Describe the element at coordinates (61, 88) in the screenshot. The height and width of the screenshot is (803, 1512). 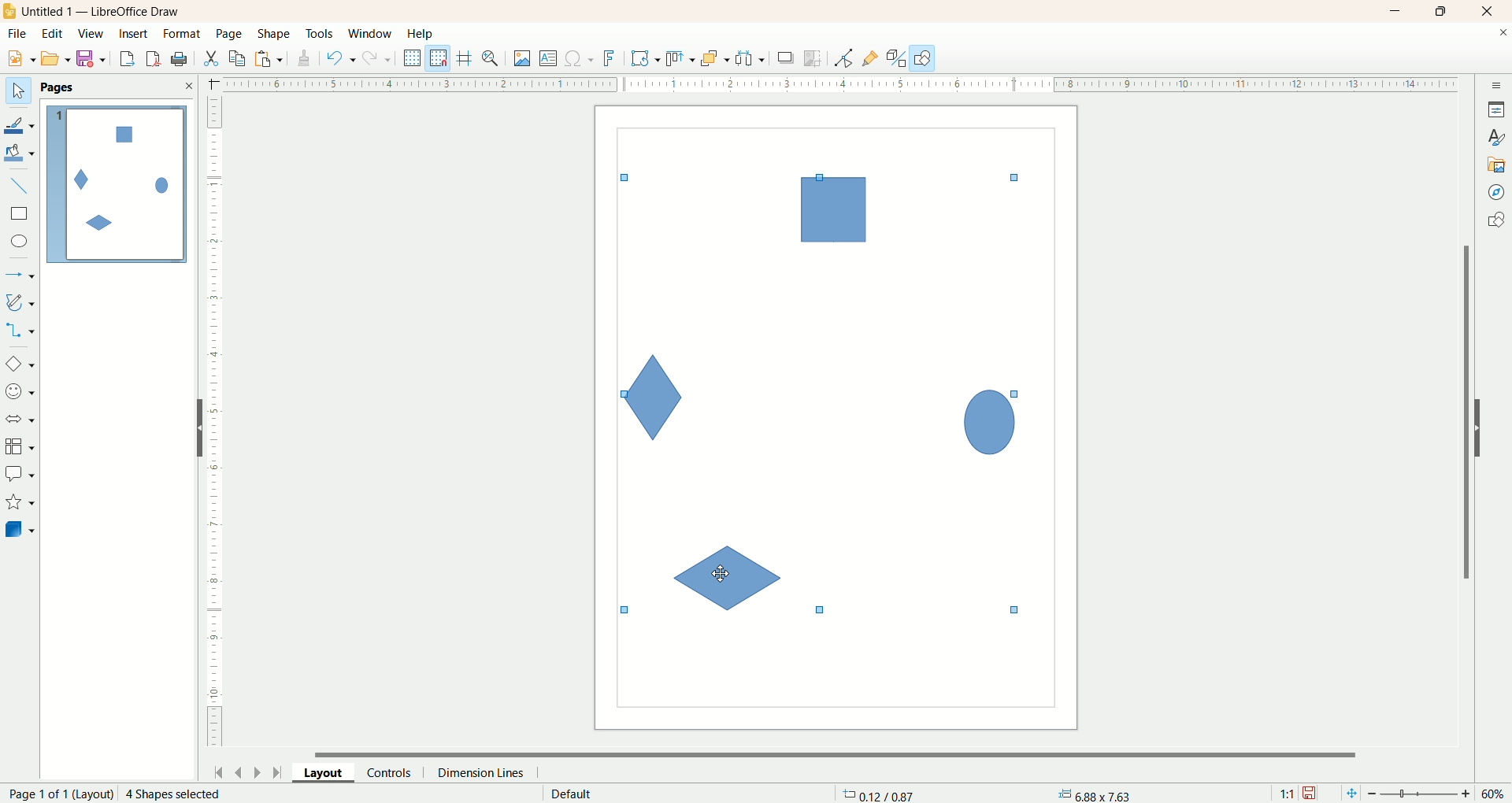
I see `Pages` at that location.